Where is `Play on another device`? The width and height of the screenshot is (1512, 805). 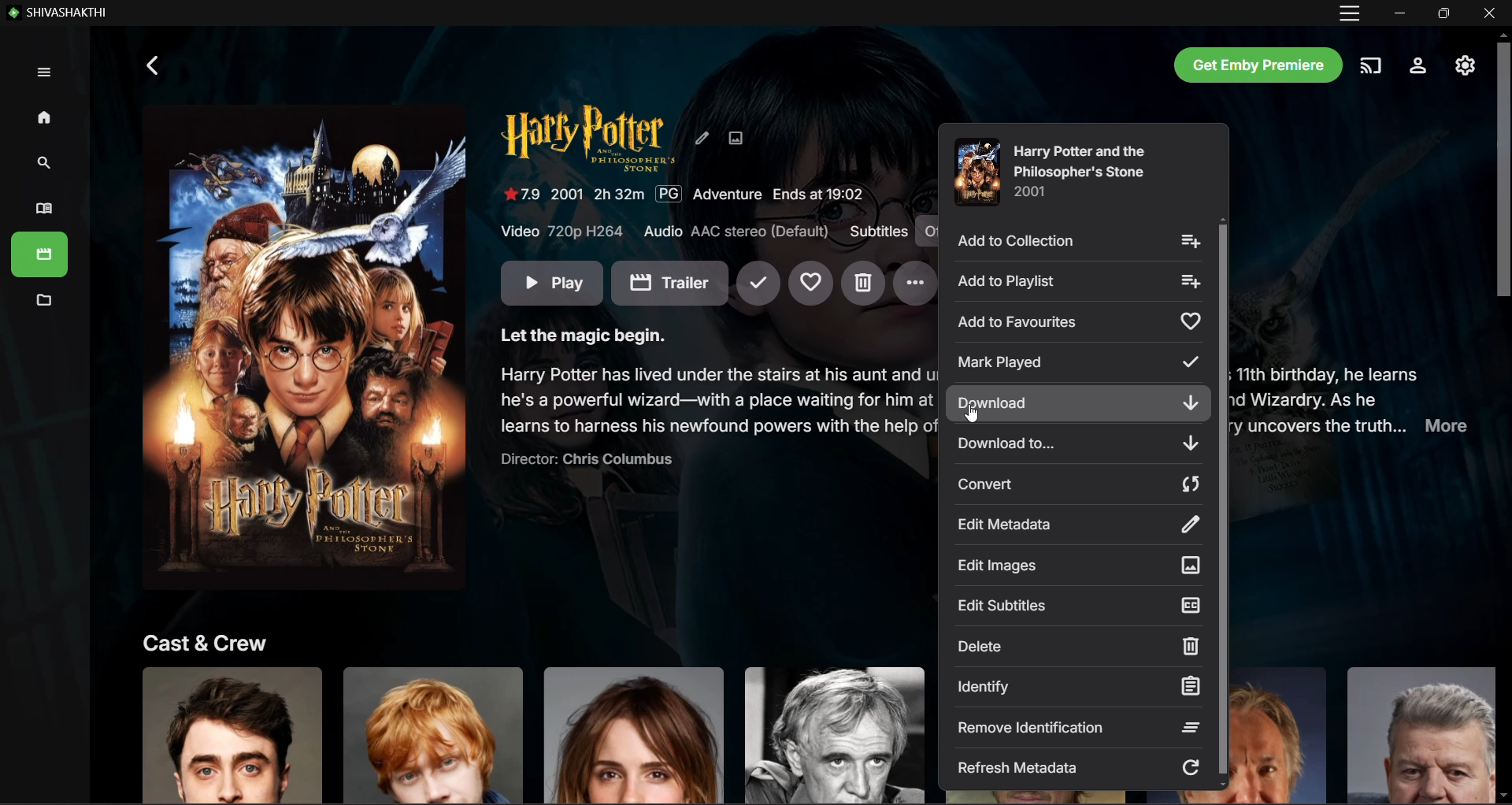
Play on another device is located at coordinates (1373, 65).